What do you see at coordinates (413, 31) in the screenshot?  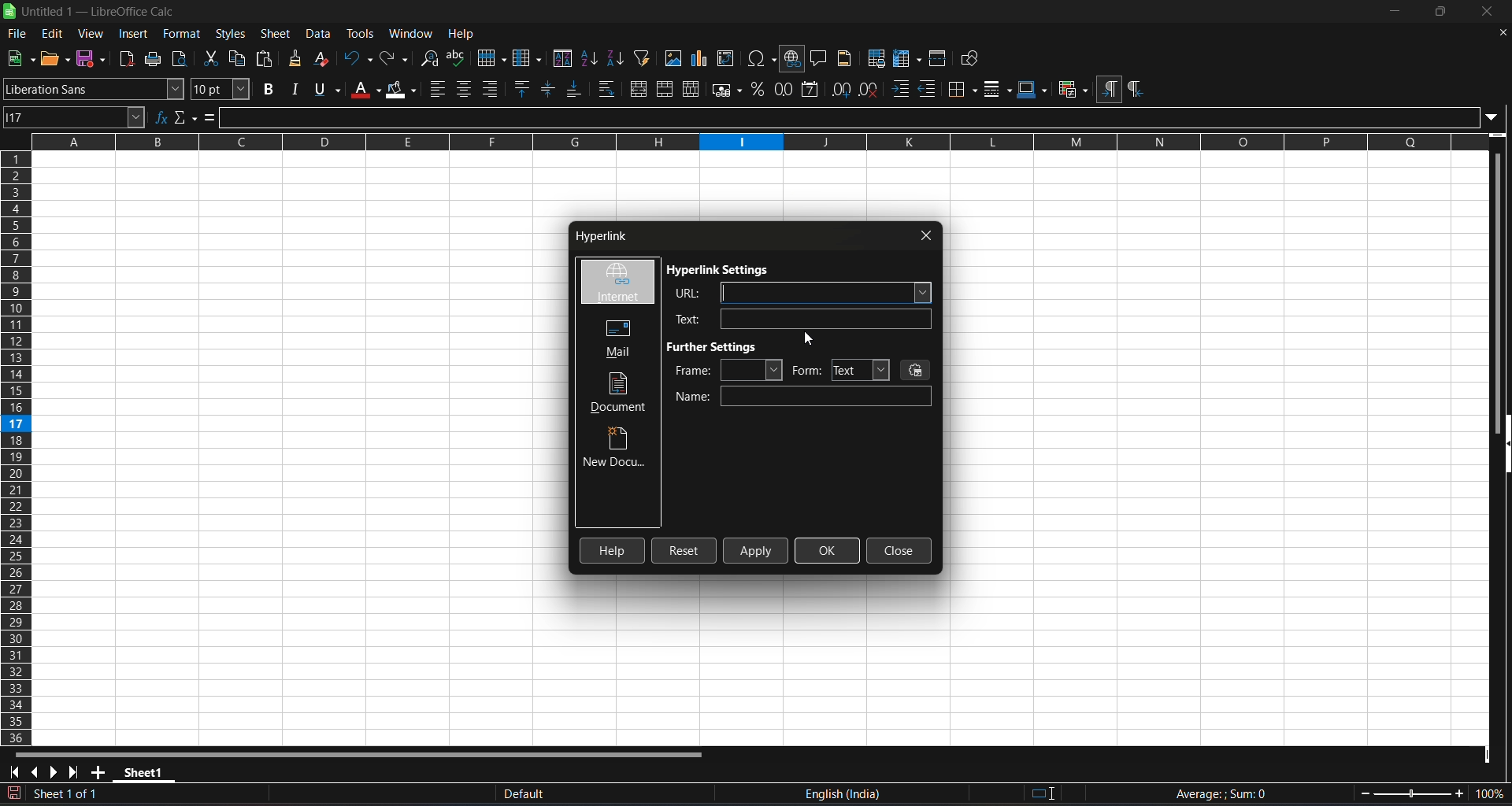 I see `window` at bounding box center [413, 31].